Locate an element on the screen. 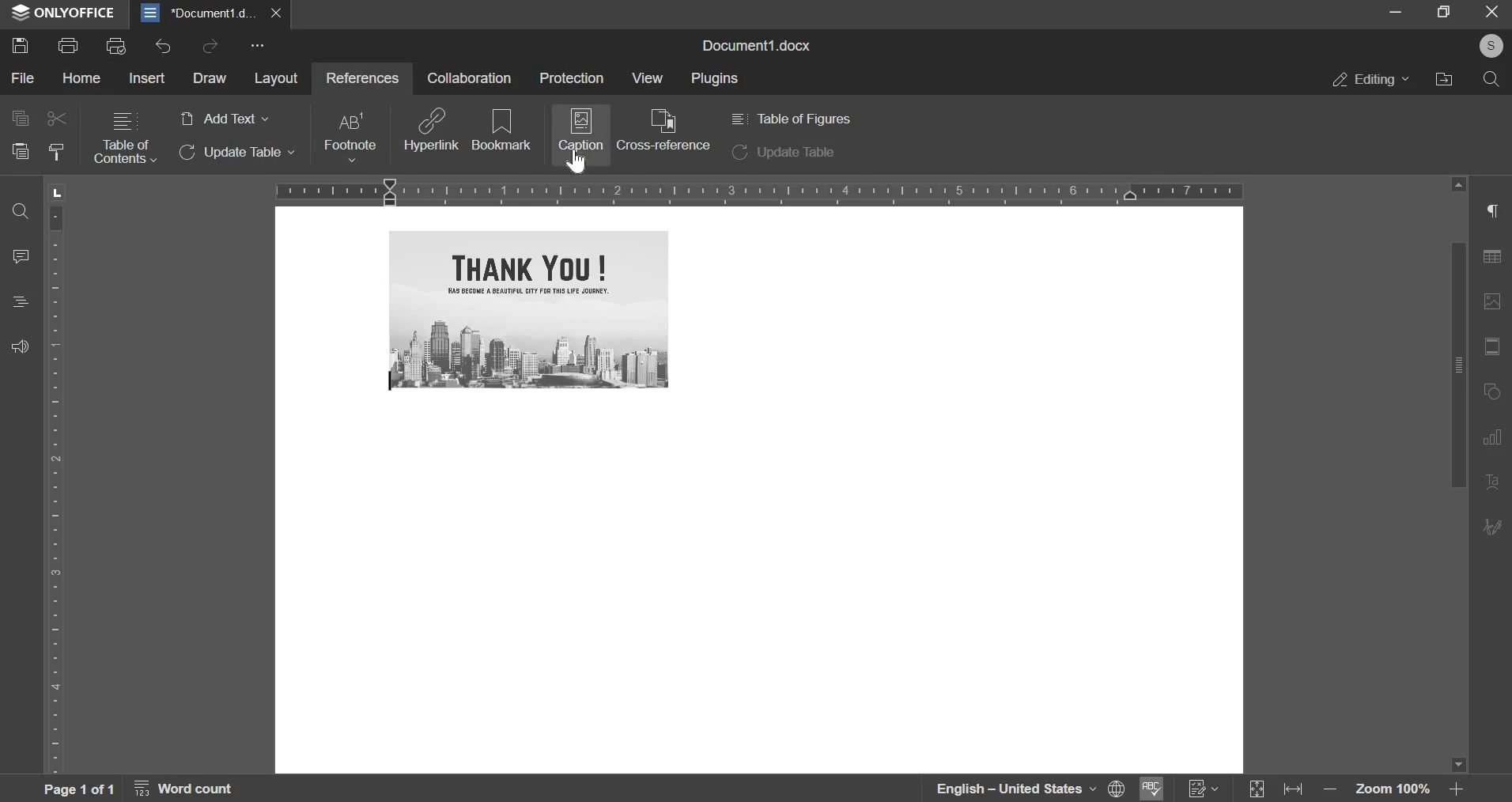  plugins is located at coordinates (716, 79).